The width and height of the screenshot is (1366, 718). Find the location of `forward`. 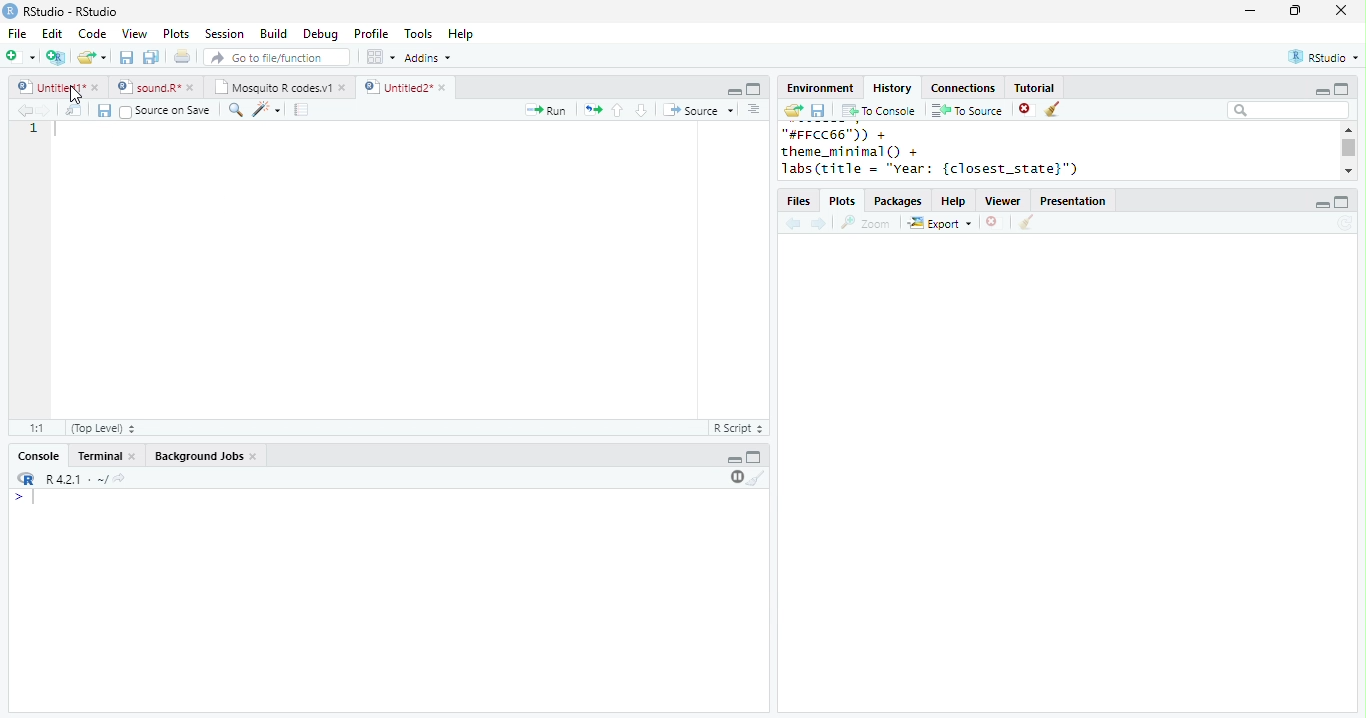

forward is located at coordinates (820, 225).